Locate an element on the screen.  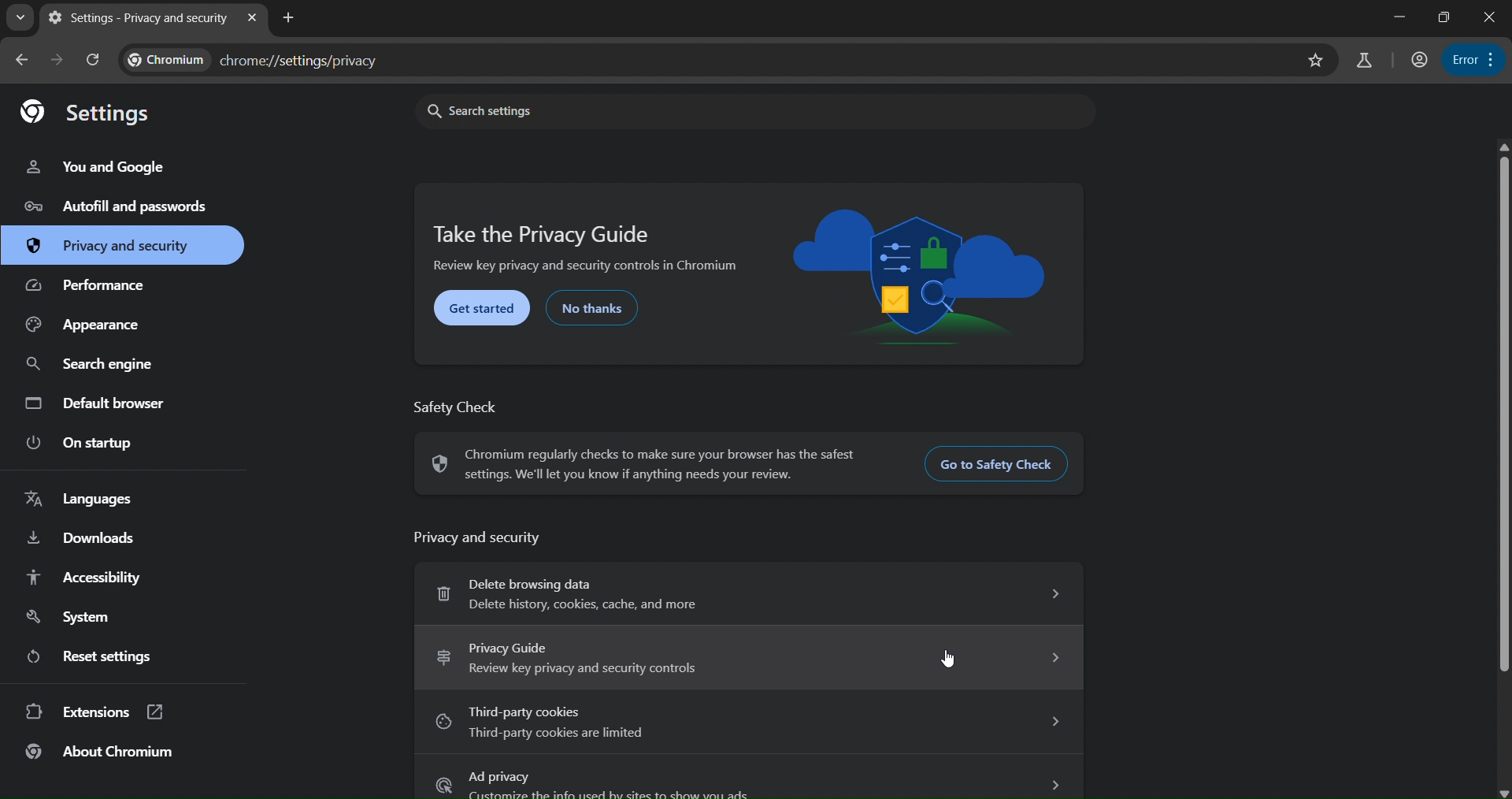
go to safety check is located at coordinates (1001, 467).